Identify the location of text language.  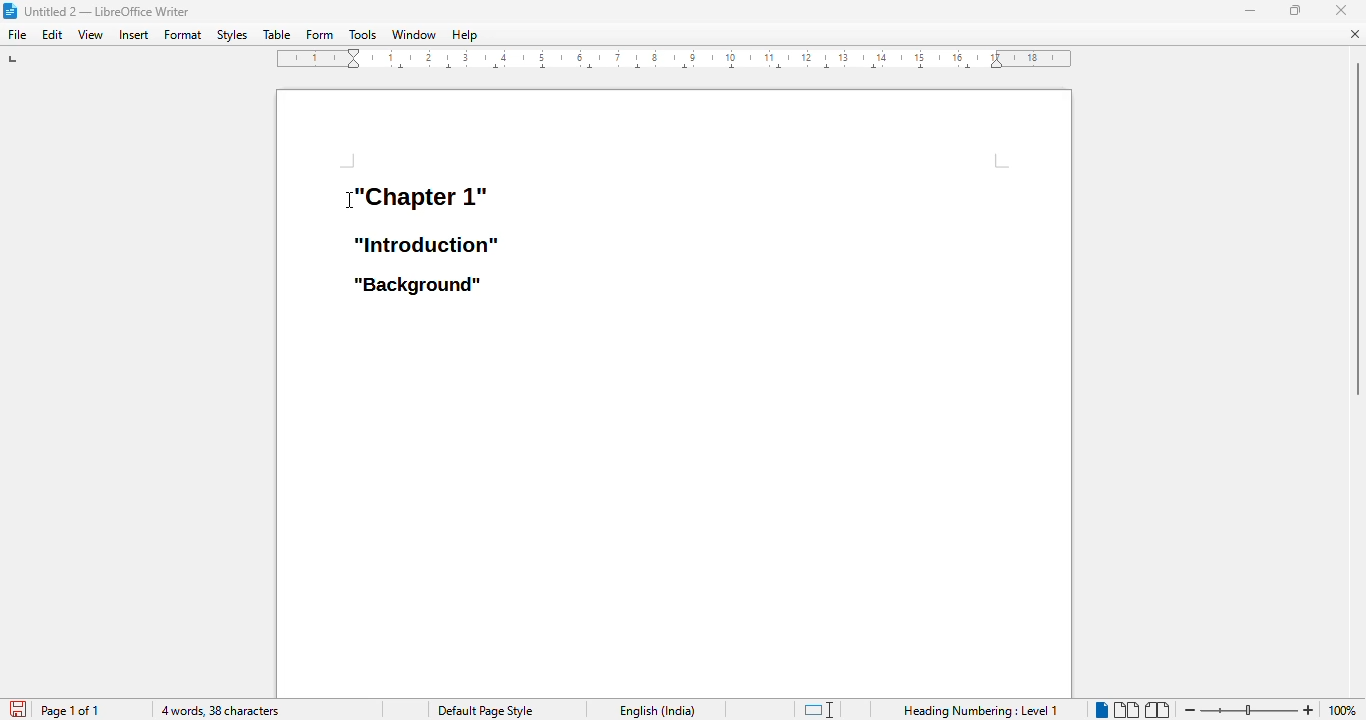
(658, 711).